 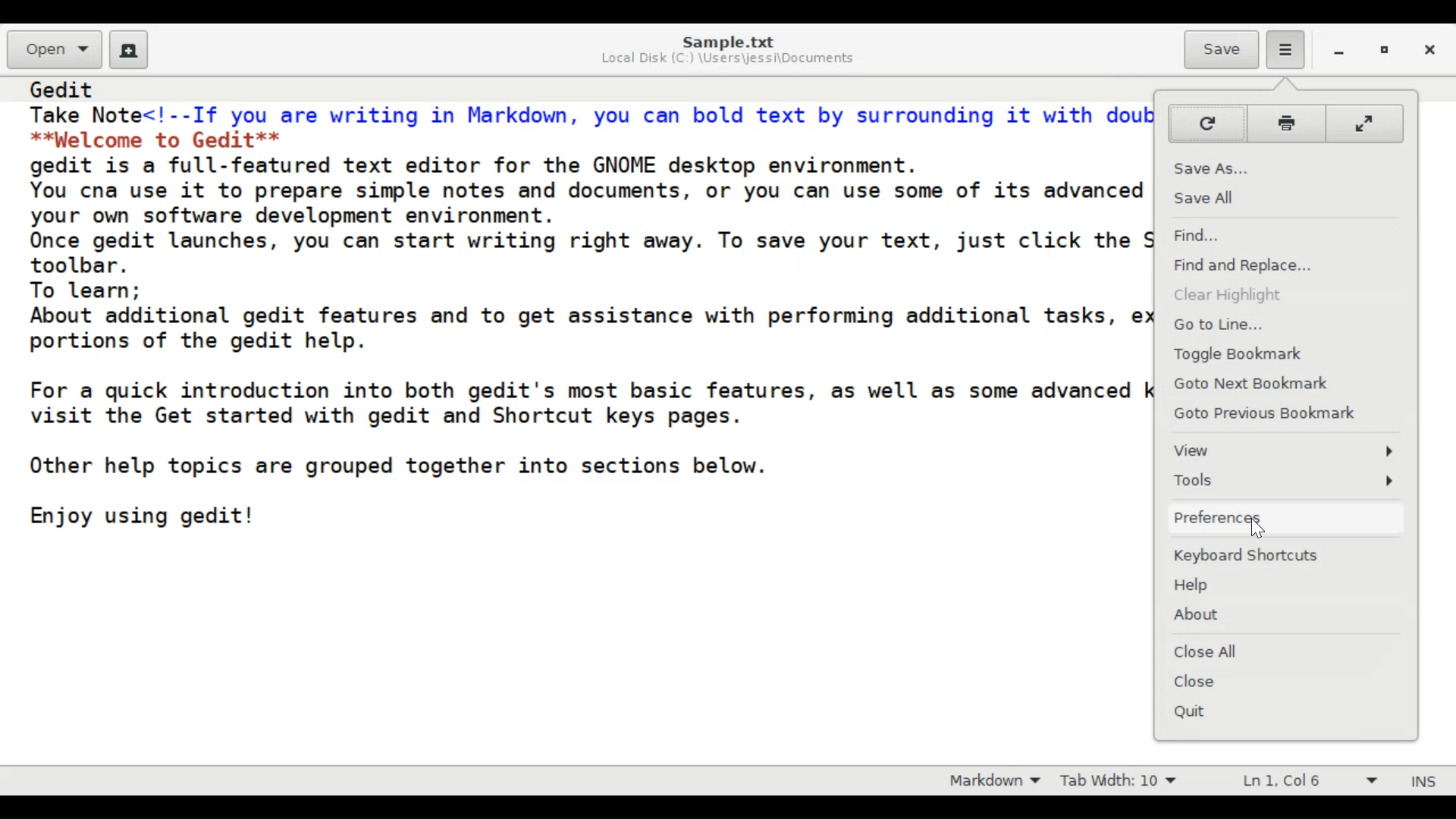 What do you see at coordinates (1228, 298) in the screenshot?
I see `Clear Highlighting` at bounding box center [1228, 298].